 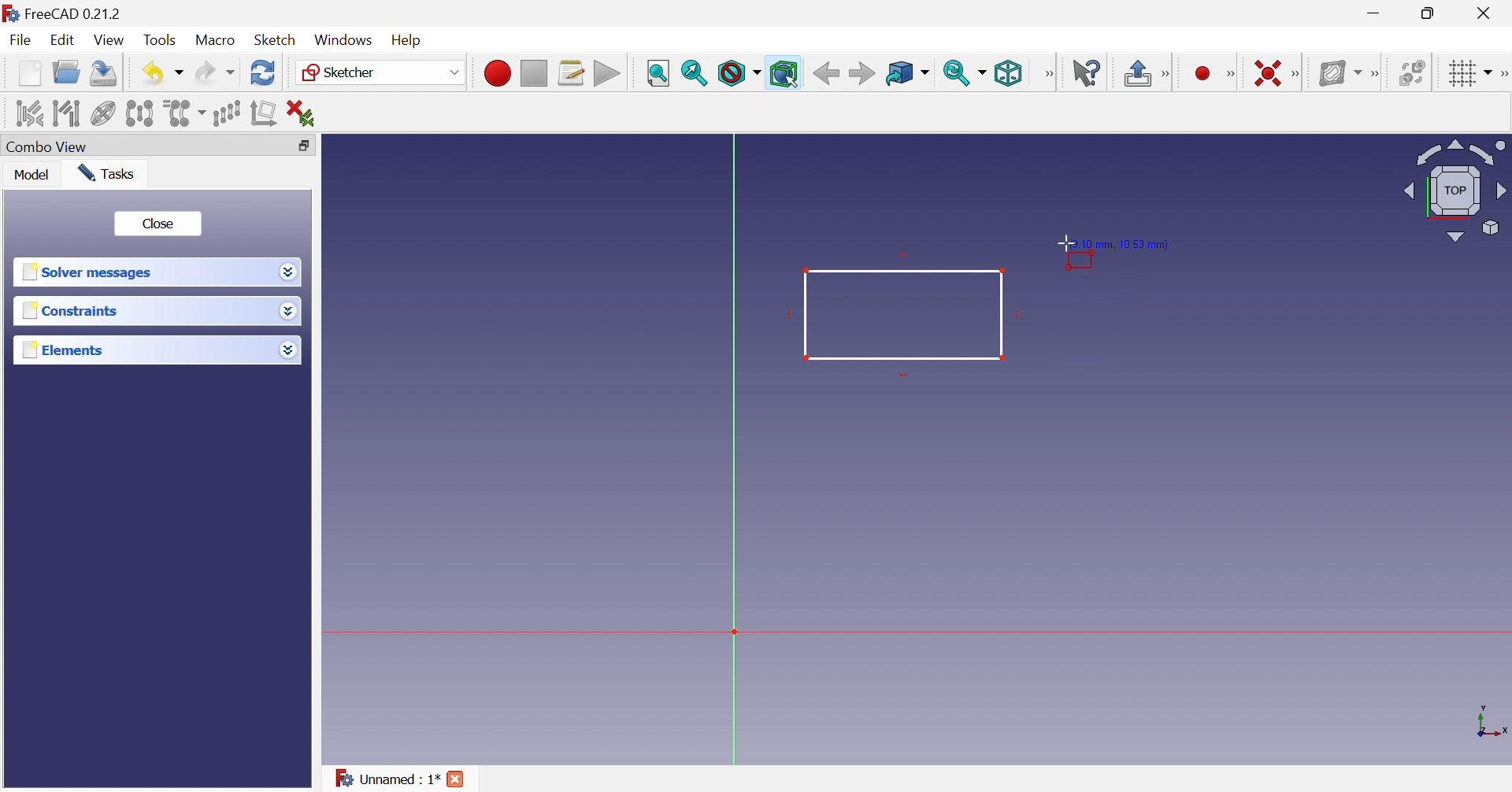 I want to click on Macro, so click(x=213, y=40).